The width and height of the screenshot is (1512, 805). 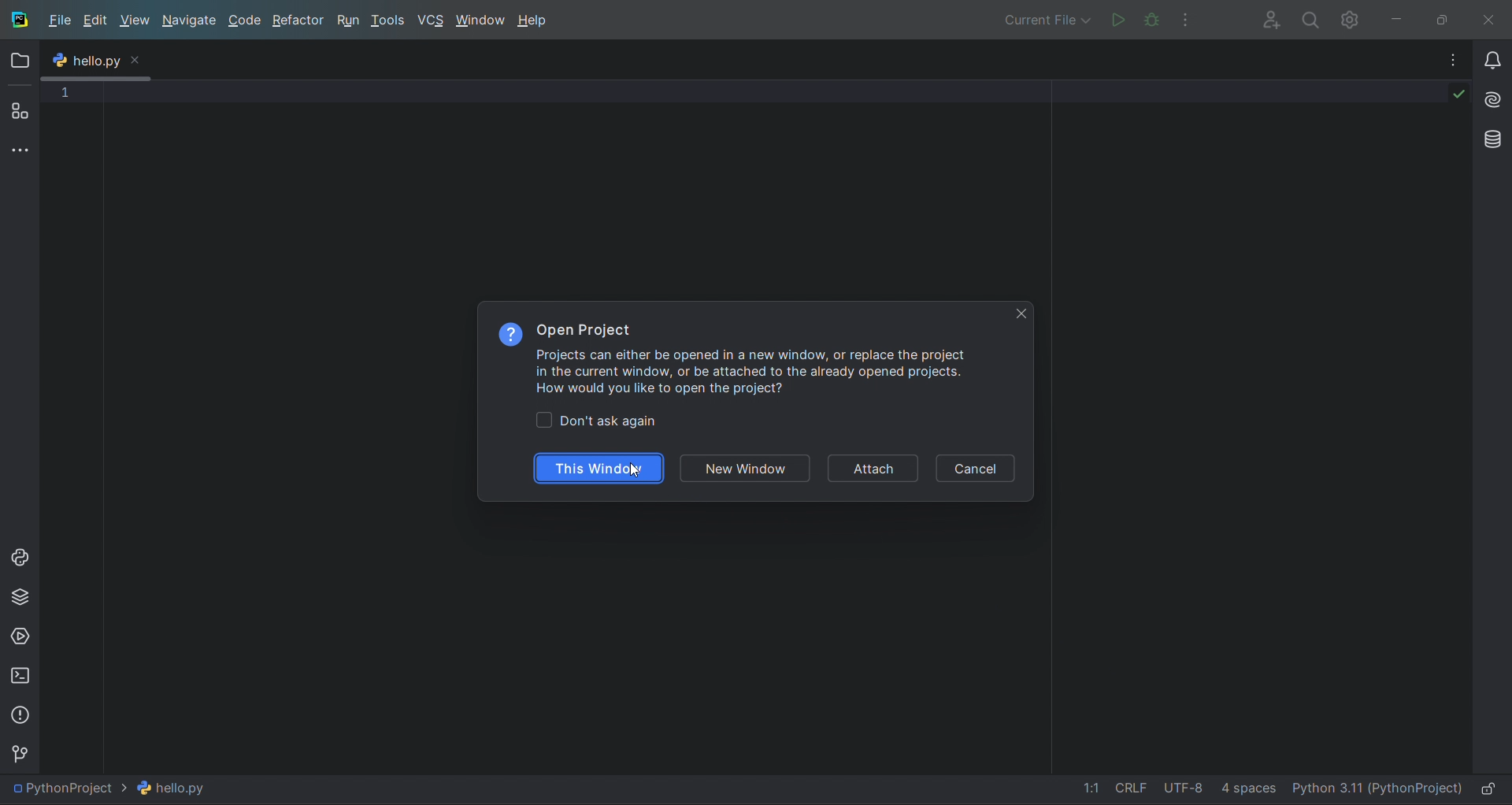 I want to click on logo, so click(x=19, y=19).